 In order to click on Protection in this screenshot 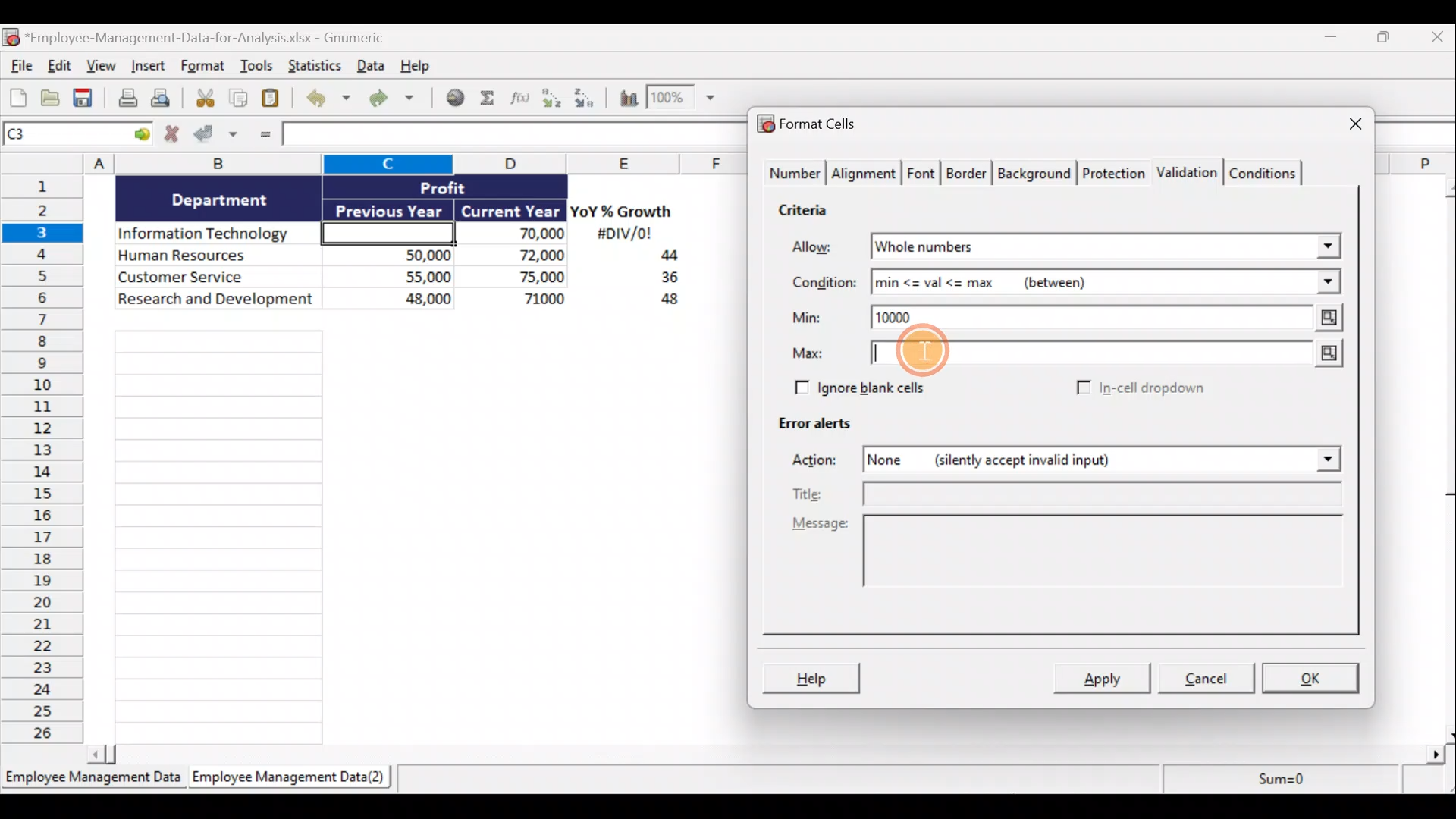, I will do `click(1113, 171)`.